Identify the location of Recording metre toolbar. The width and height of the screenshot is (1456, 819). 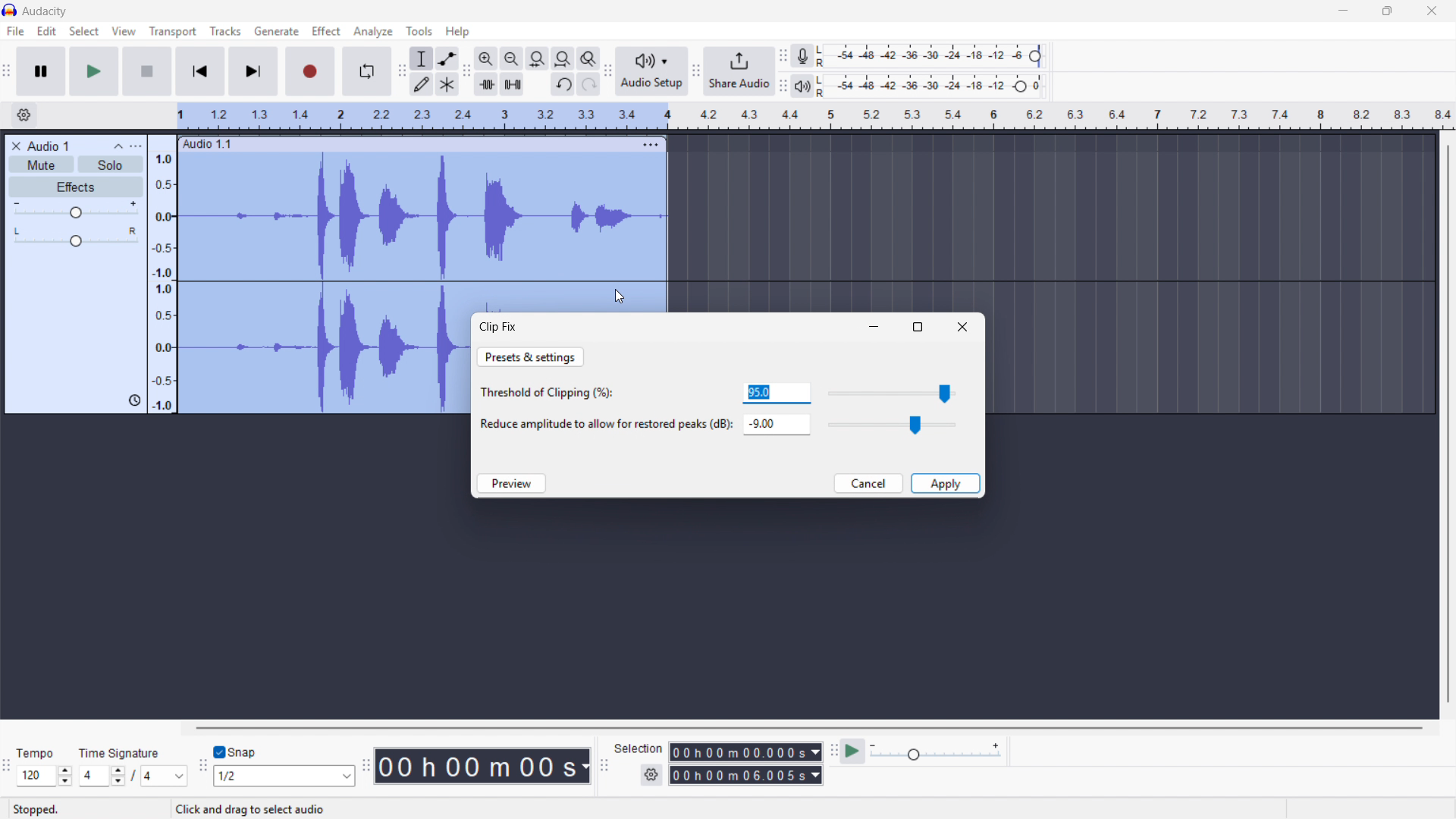
(783, 56).